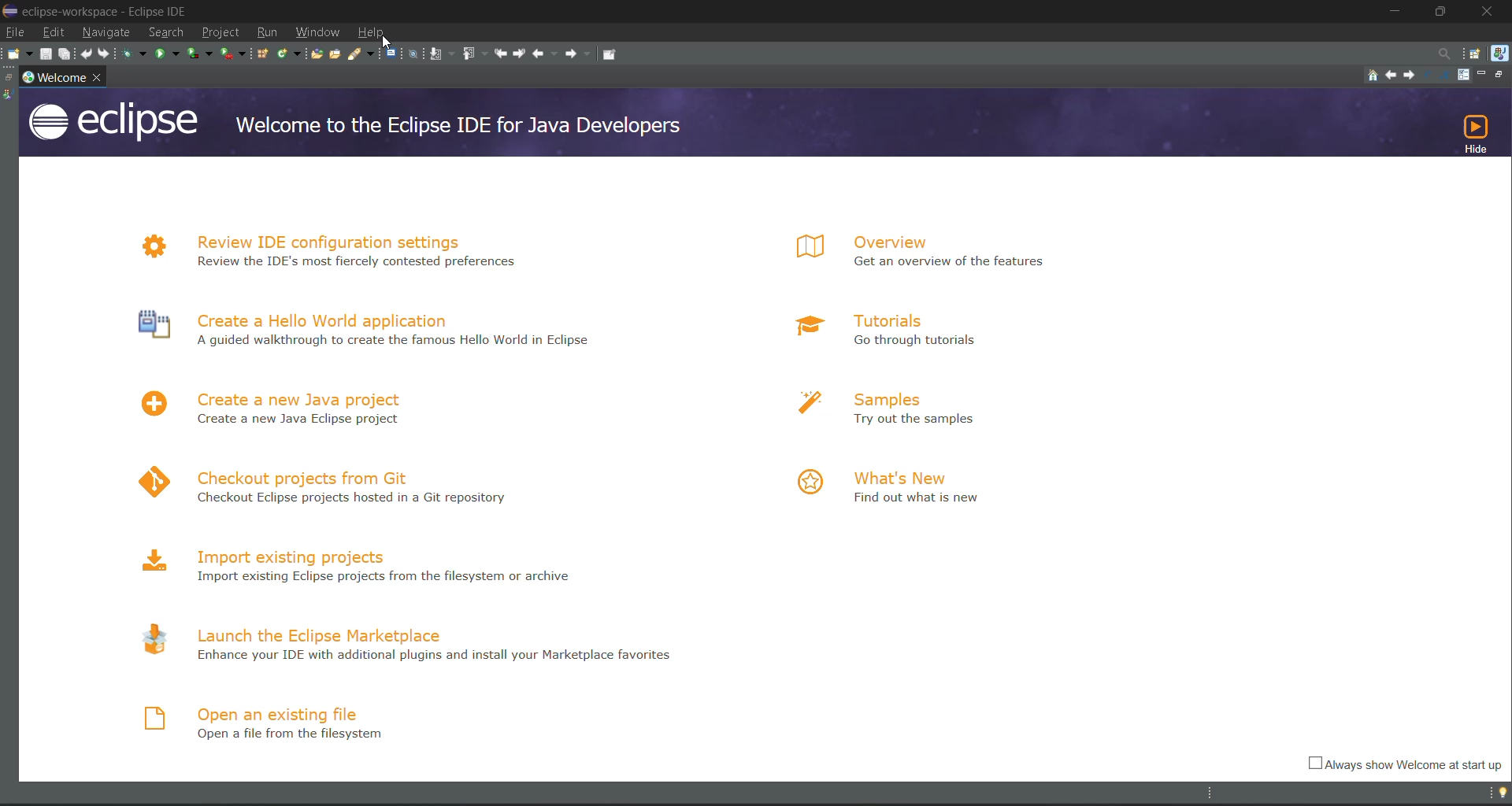 This screenshot has height=806, width=1512. I want to click on Icon, so click(155, 326).